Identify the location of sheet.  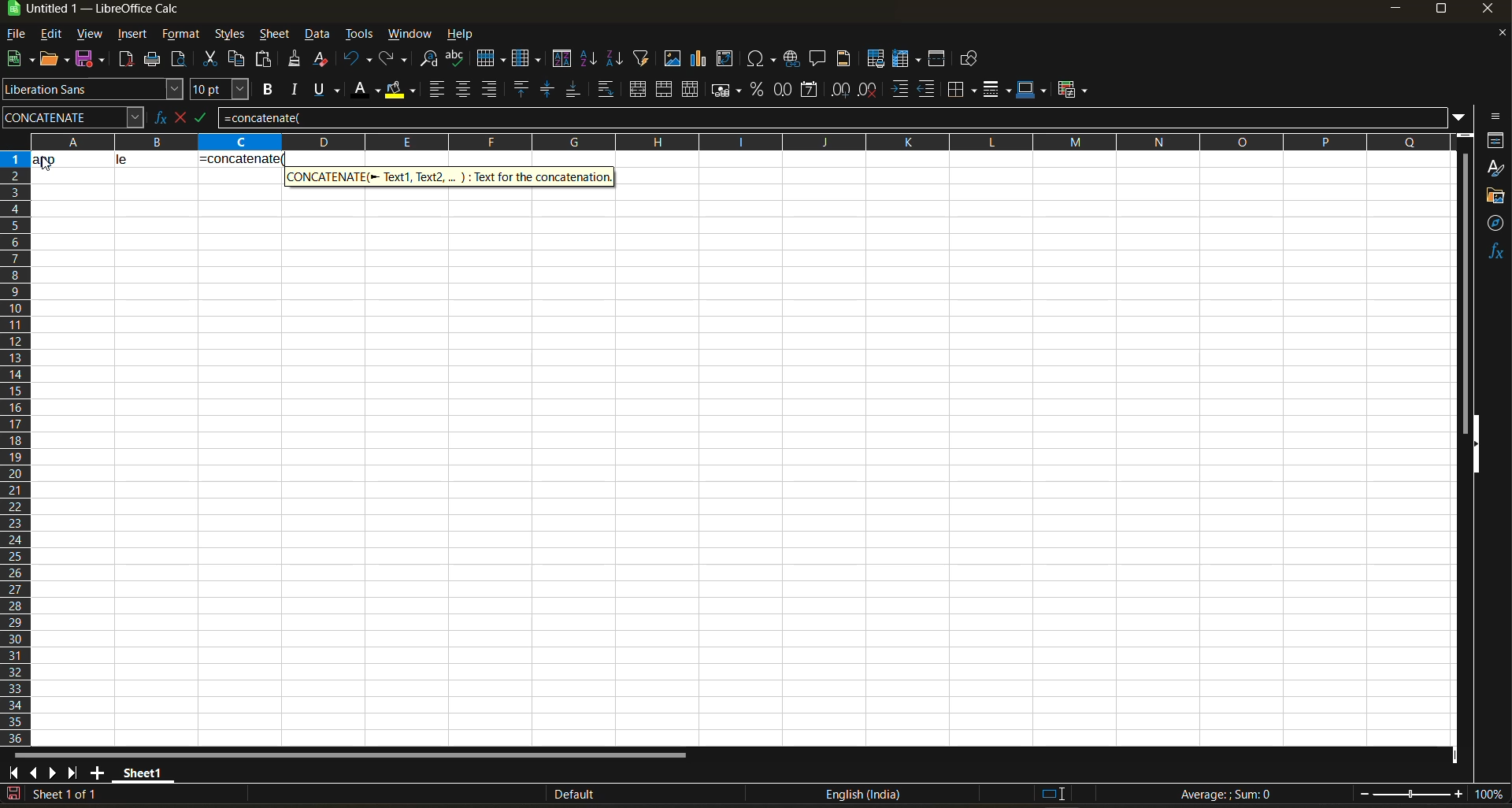
(274, 34).